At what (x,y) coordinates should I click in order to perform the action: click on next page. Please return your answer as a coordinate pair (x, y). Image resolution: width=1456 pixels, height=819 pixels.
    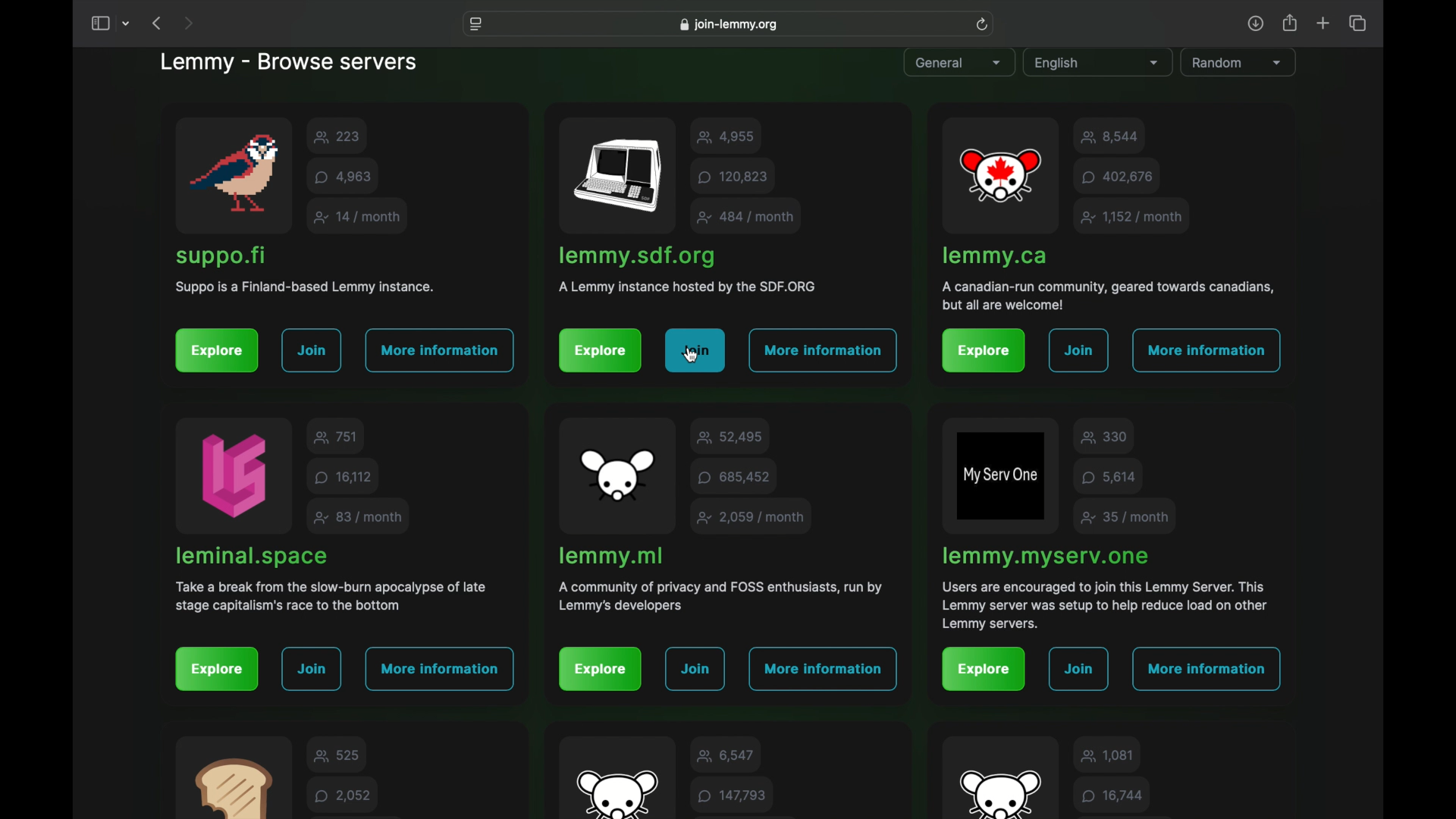
    Looking at the image, I should click on (188, 24).